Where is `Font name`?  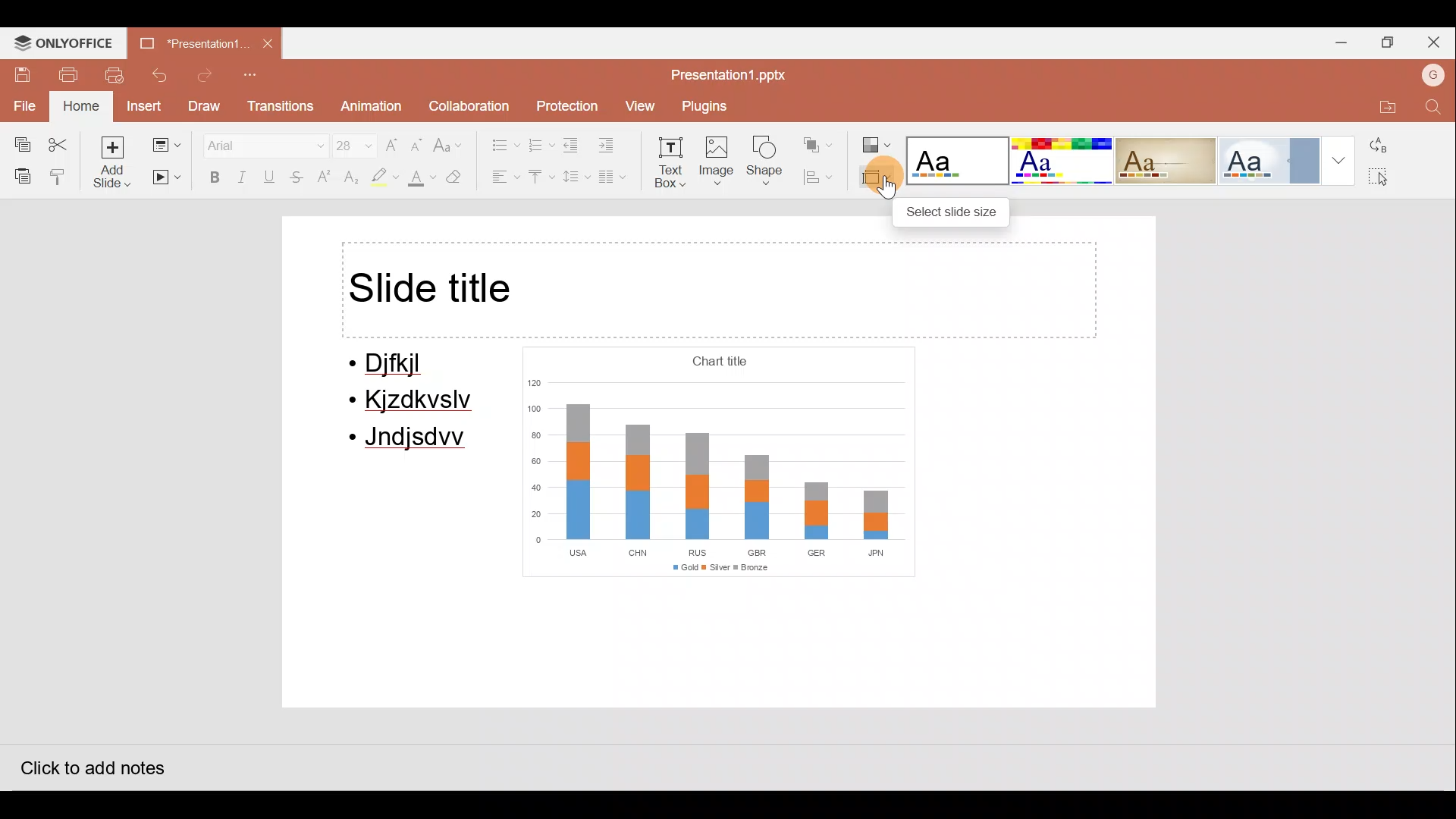
Font name is located at coordinates (256, 143).